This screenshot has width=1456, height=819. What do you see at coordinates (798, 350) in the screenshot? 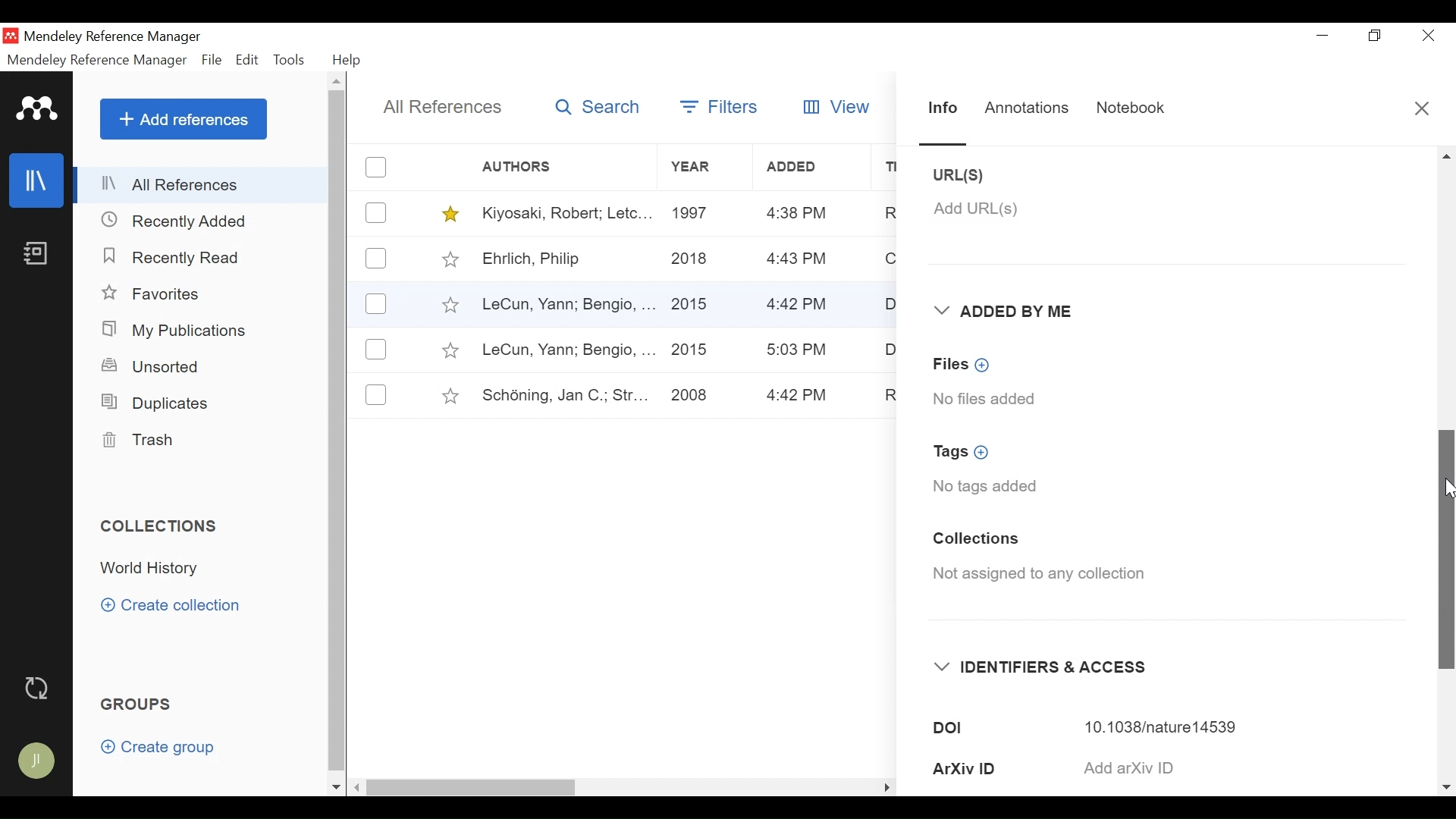
I see `5:03 PM` at bounding box center [798, 350].